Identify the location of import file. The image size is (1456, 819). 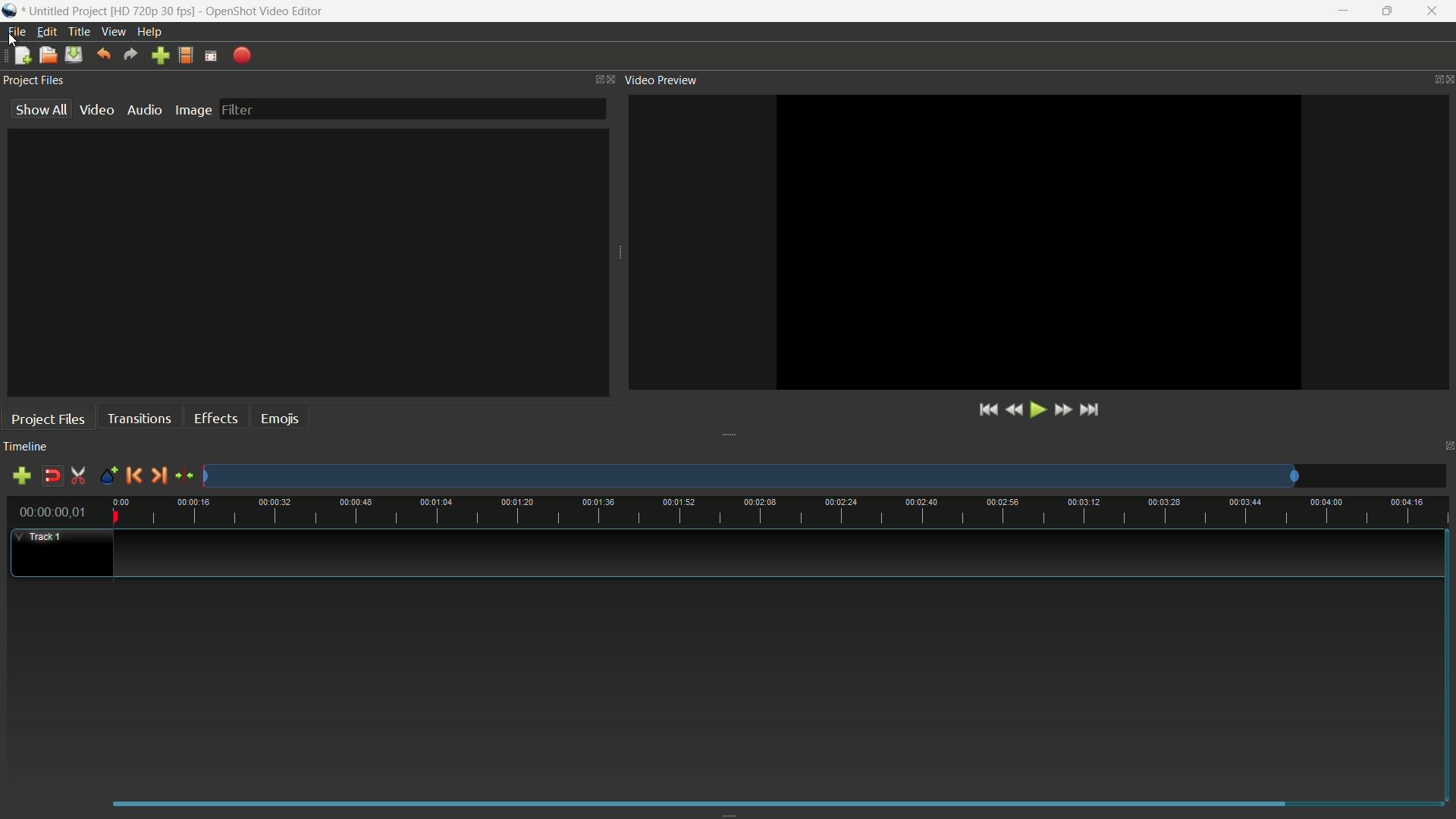
(158, 56).